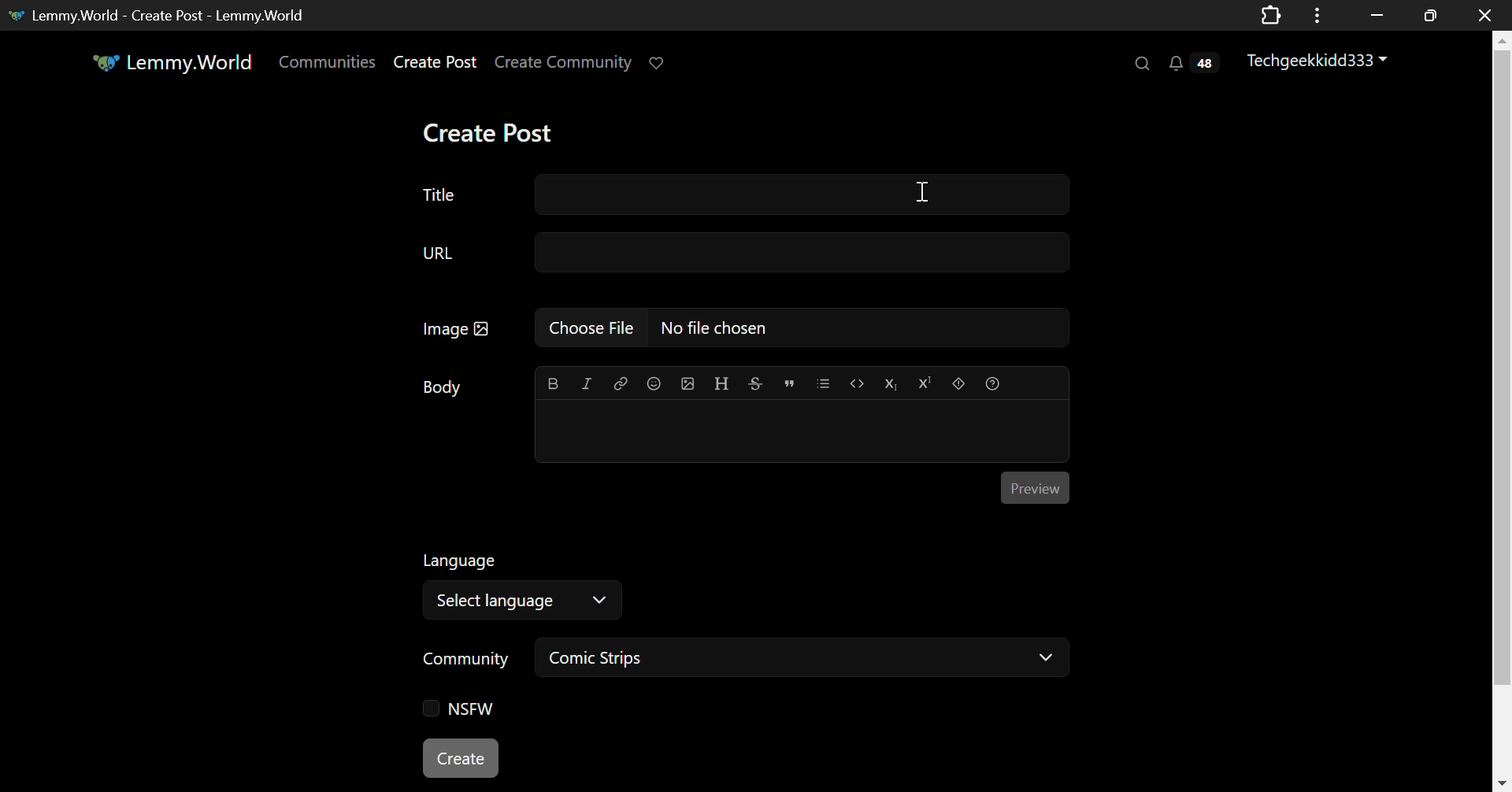 The height and width of the screenshot is (792, 1512). Describe the element at coordinates (825, 383) in the screenshot. I see `list` at that location.